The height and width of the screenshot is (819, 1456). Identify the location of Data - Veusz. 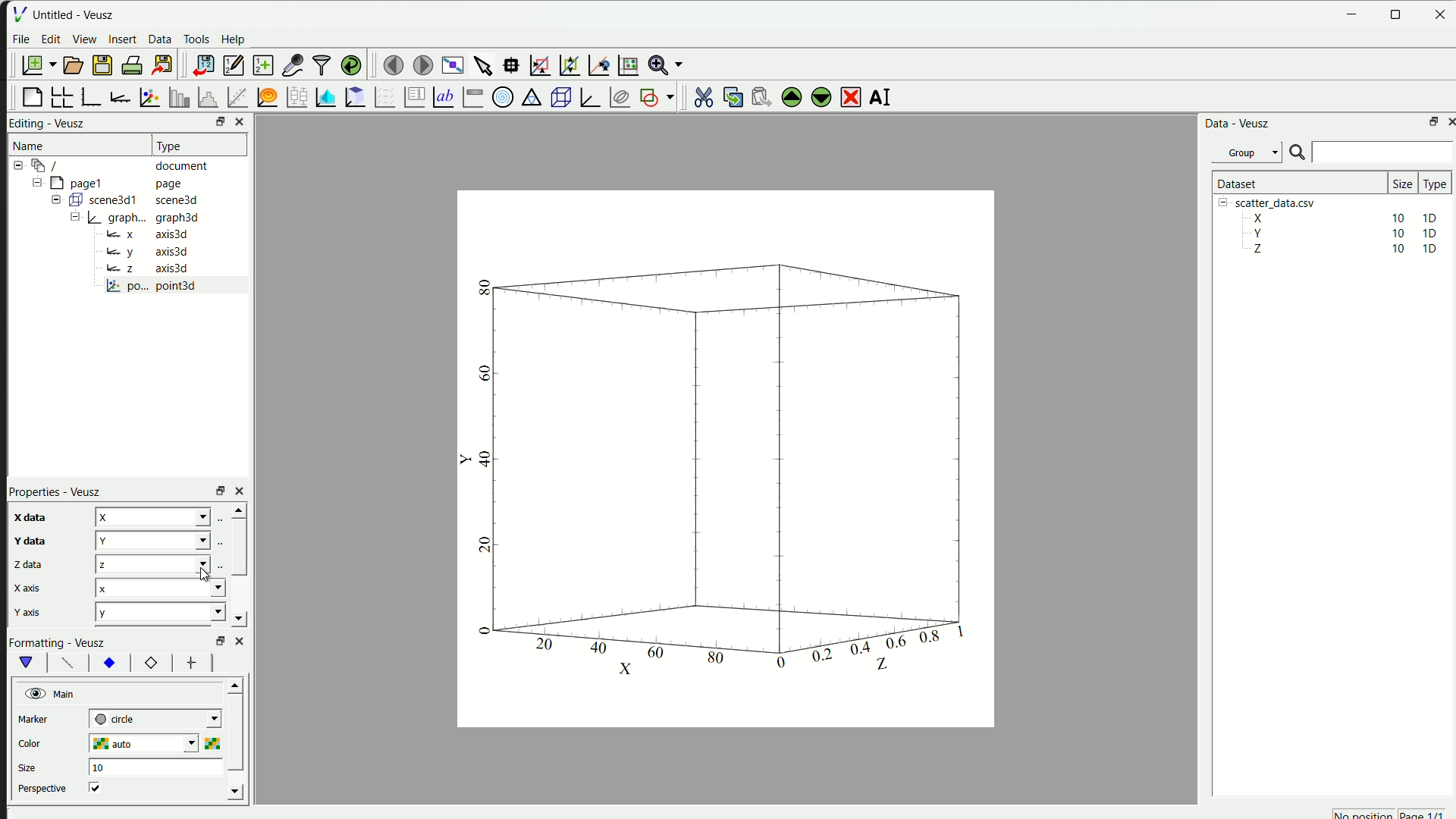
(1235, 124).